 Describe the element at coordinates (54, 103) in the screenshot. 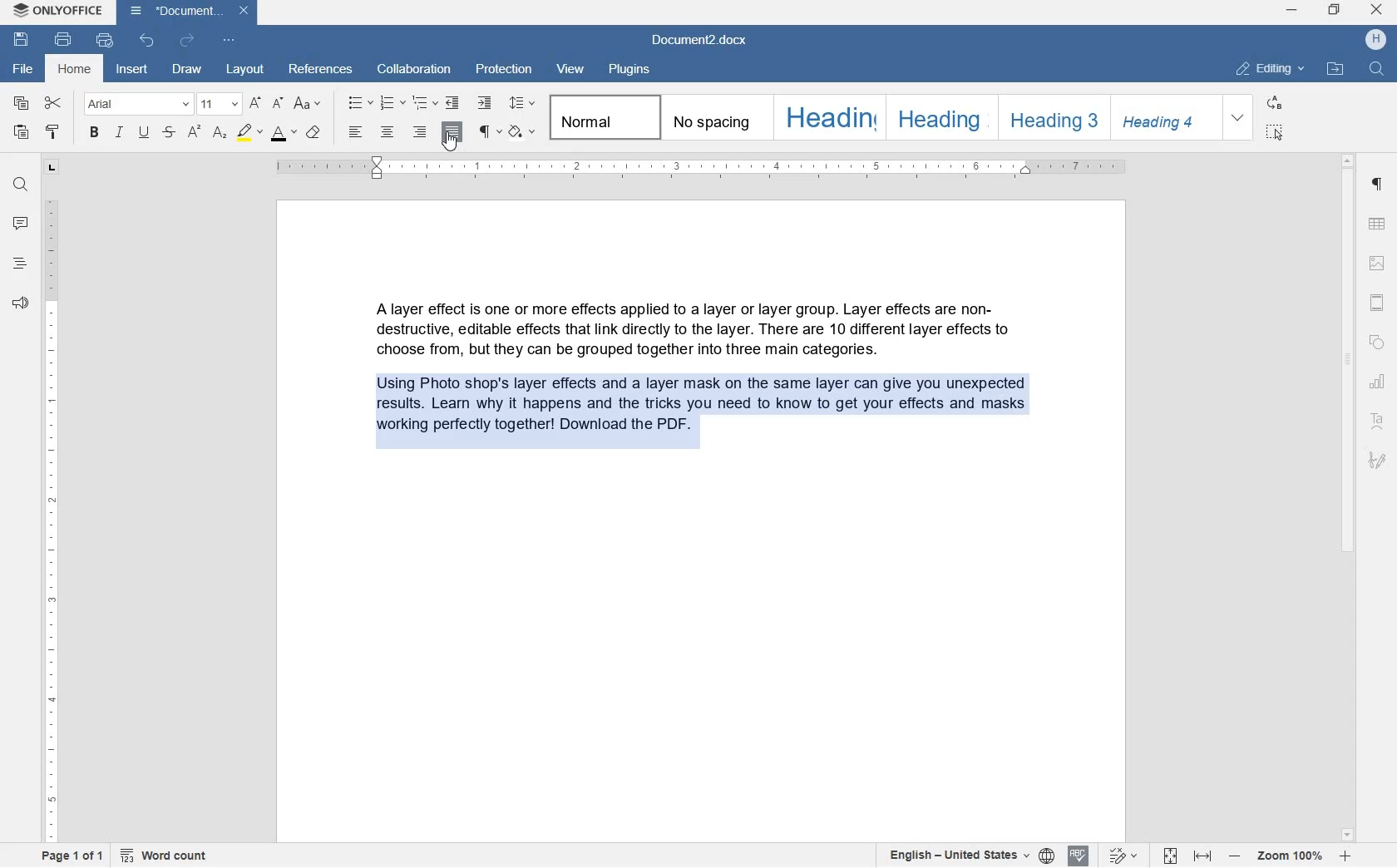

I see `CUT` at that location.